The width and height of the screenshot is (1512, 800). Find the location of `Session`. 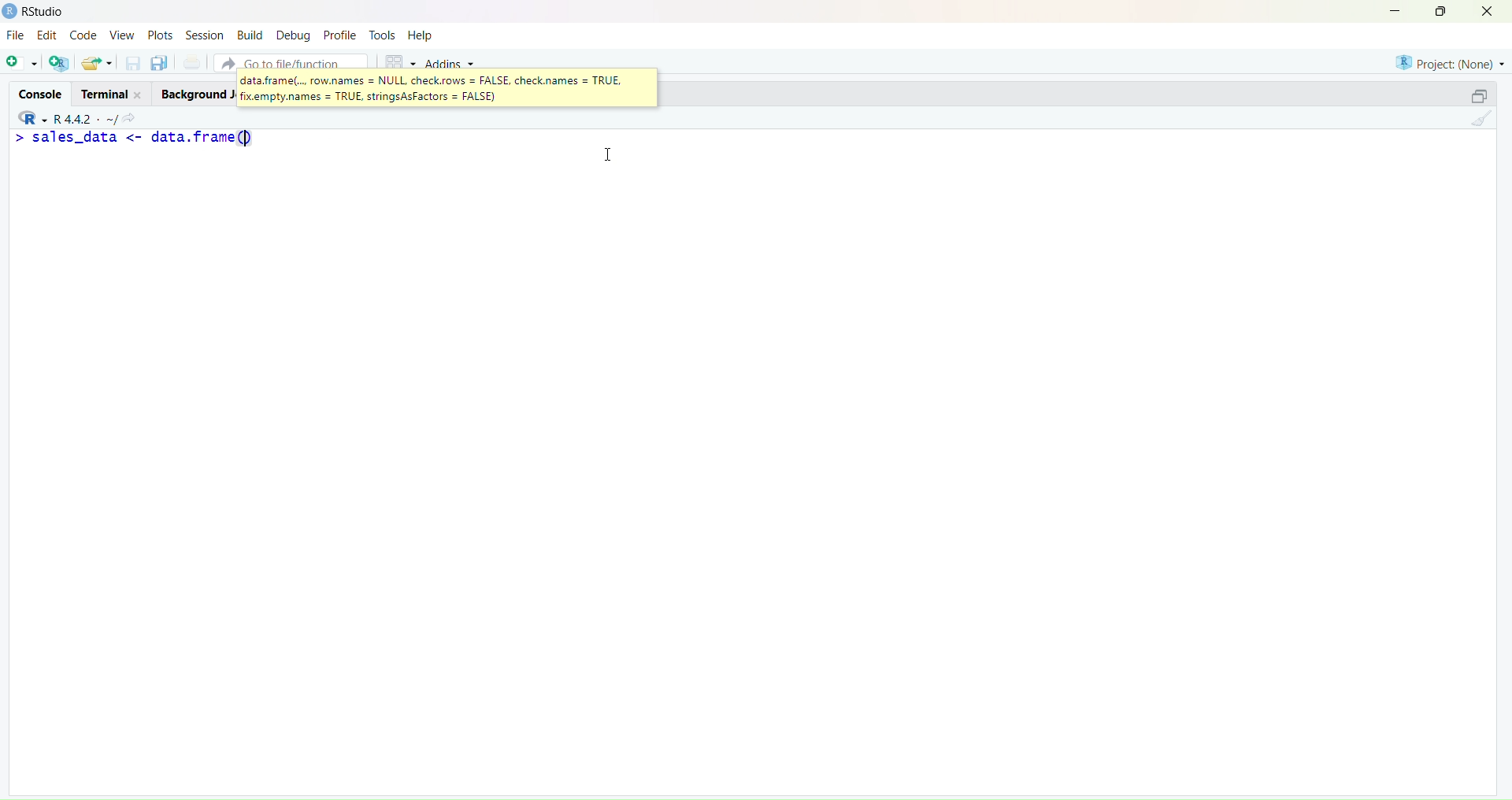

Session is located at coordinates (202, 35).